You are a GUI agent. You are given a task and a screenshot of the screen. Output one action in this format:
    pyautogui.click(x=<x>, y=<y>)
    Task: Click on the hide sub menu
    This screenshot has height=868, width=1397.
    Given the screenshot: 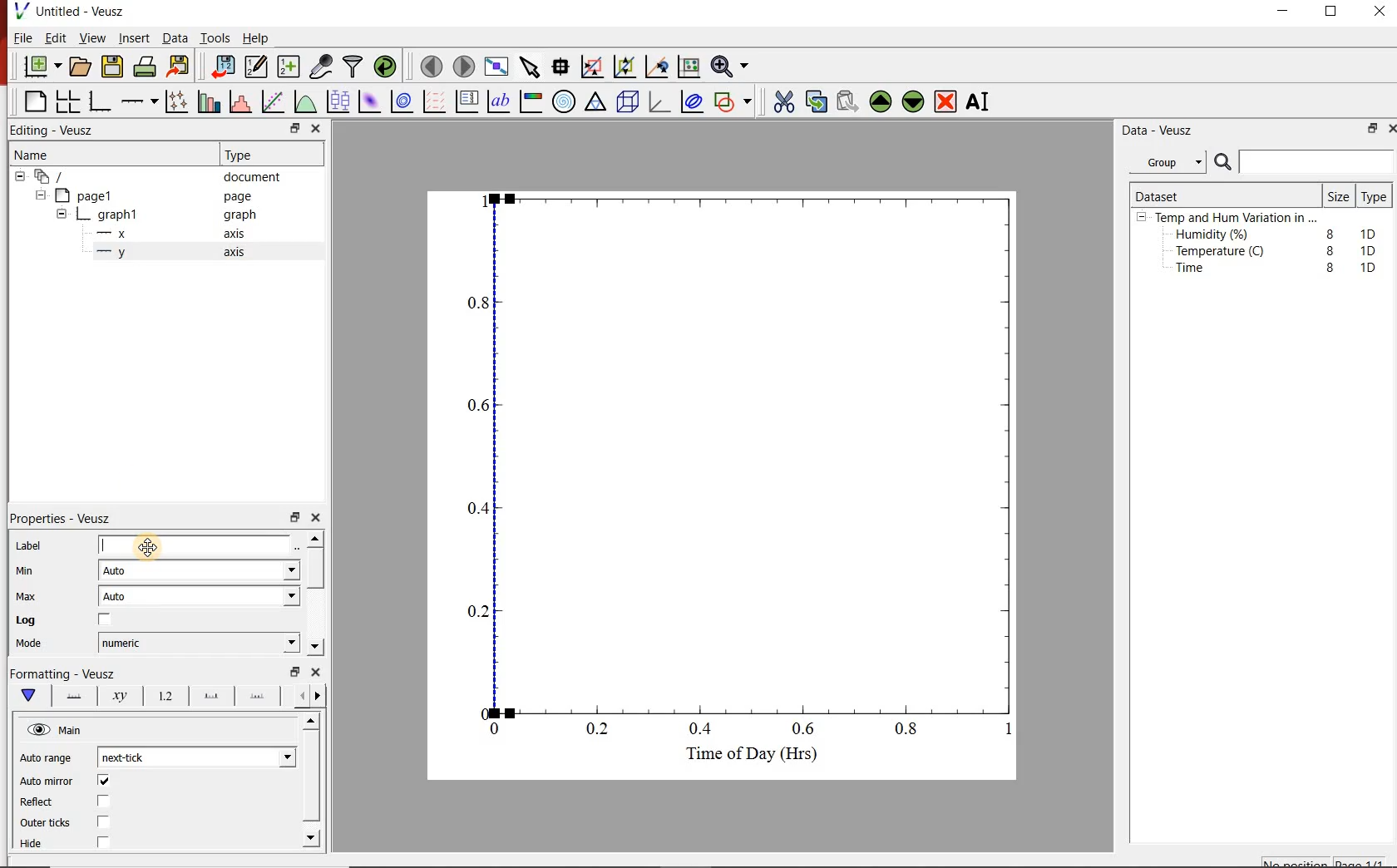 What is the action you would take?
    pyautogui.click(x=62, y=213)
    